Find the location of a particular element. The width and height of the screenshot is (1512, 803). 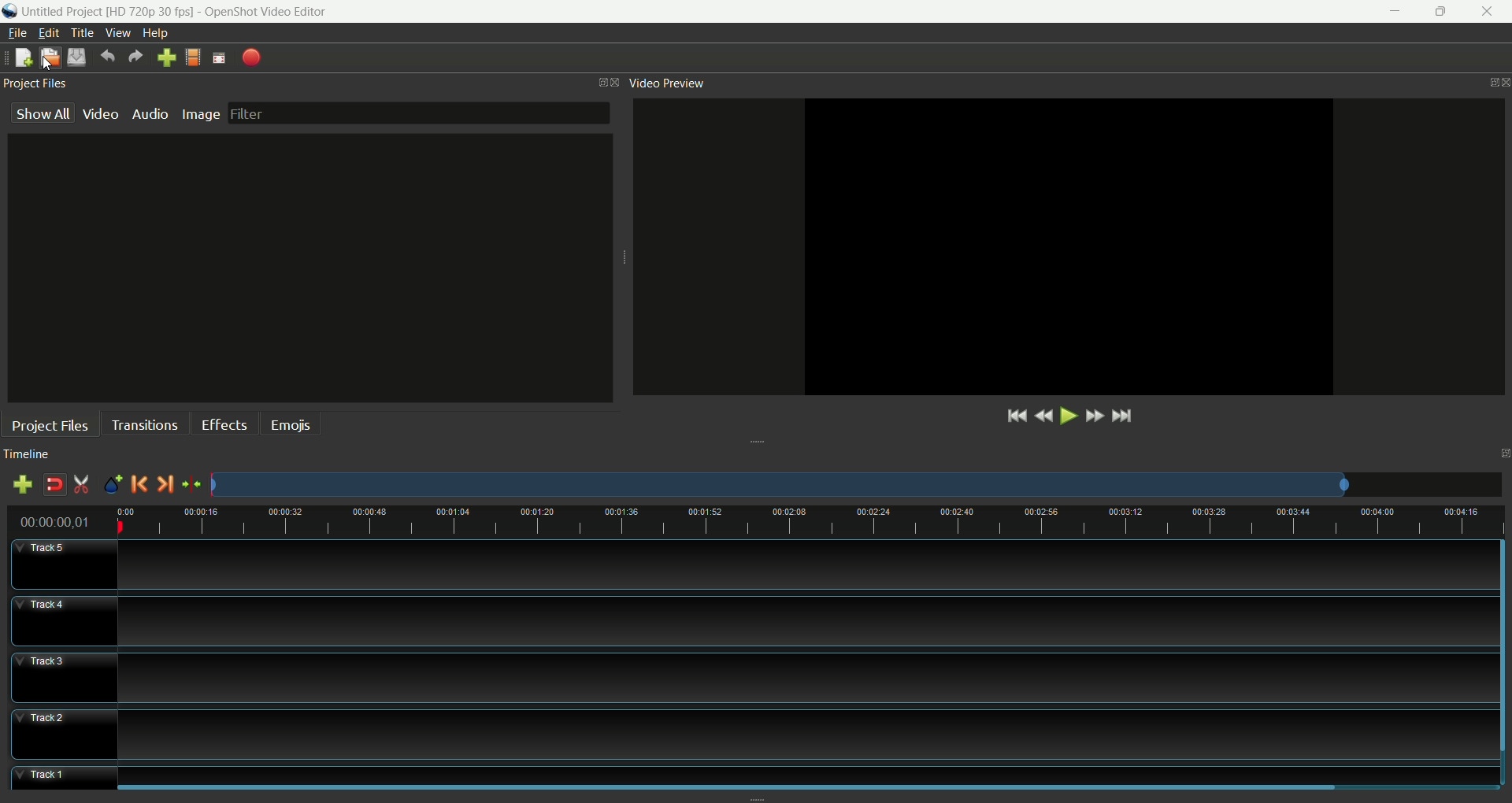

effects is located at coordinates (223, 422).